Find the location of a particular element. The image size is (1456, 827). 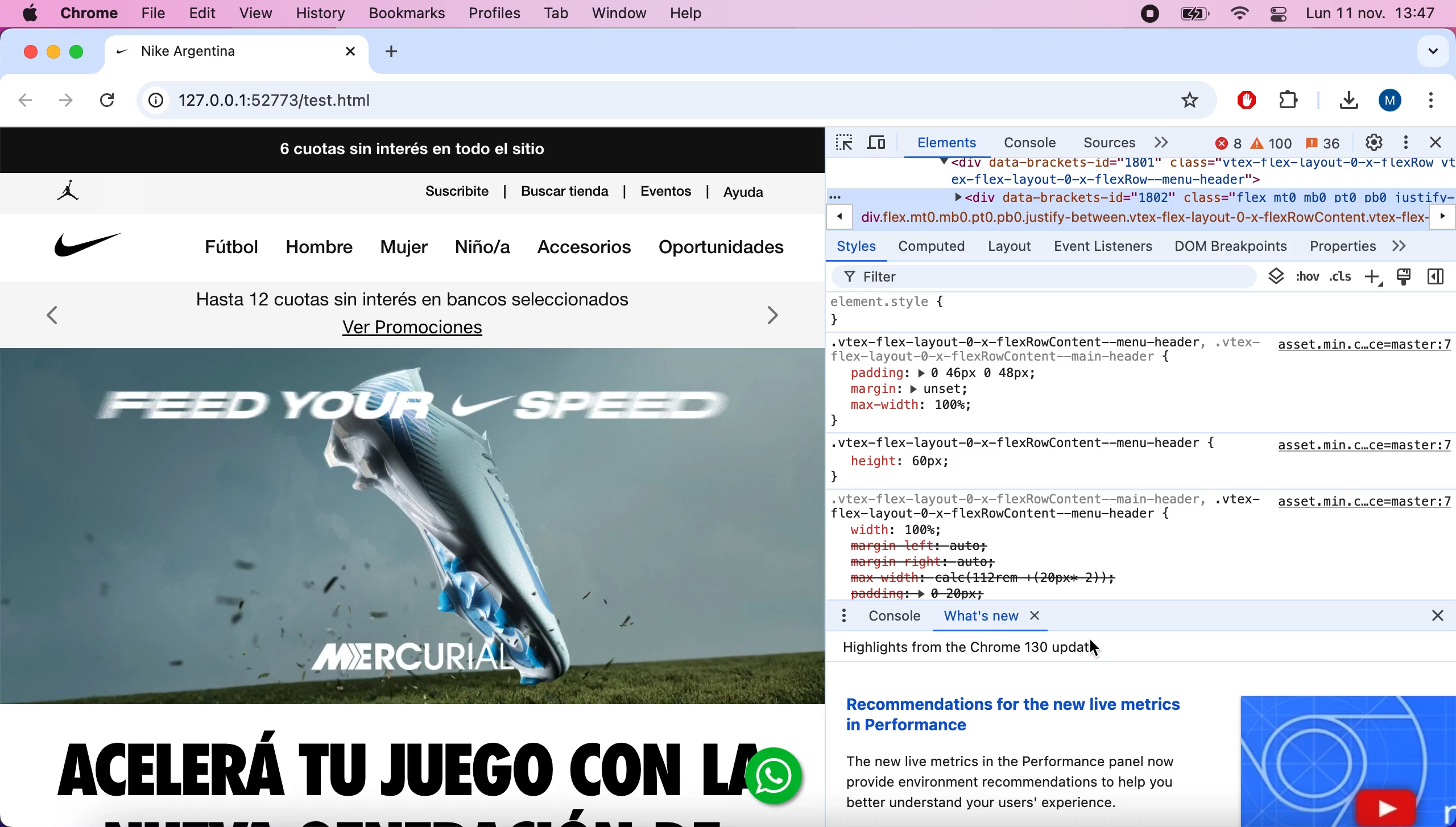

search tabs is located at coordinates (1424, 54).